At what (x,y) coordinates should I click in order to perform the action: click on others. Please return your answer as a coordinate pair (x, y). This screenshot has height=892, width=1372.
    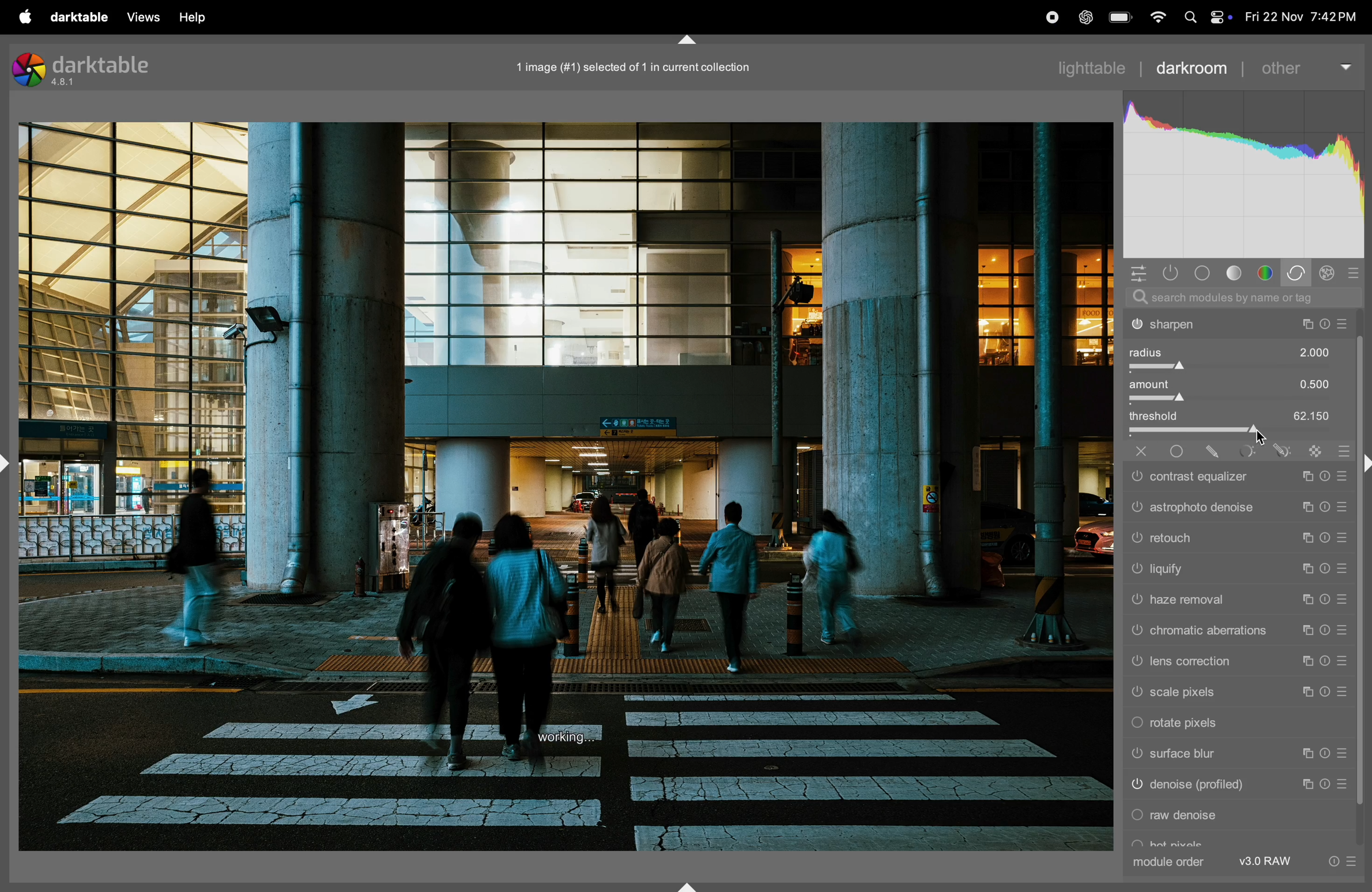
    Looking at the image, I should click on (1305, 67).